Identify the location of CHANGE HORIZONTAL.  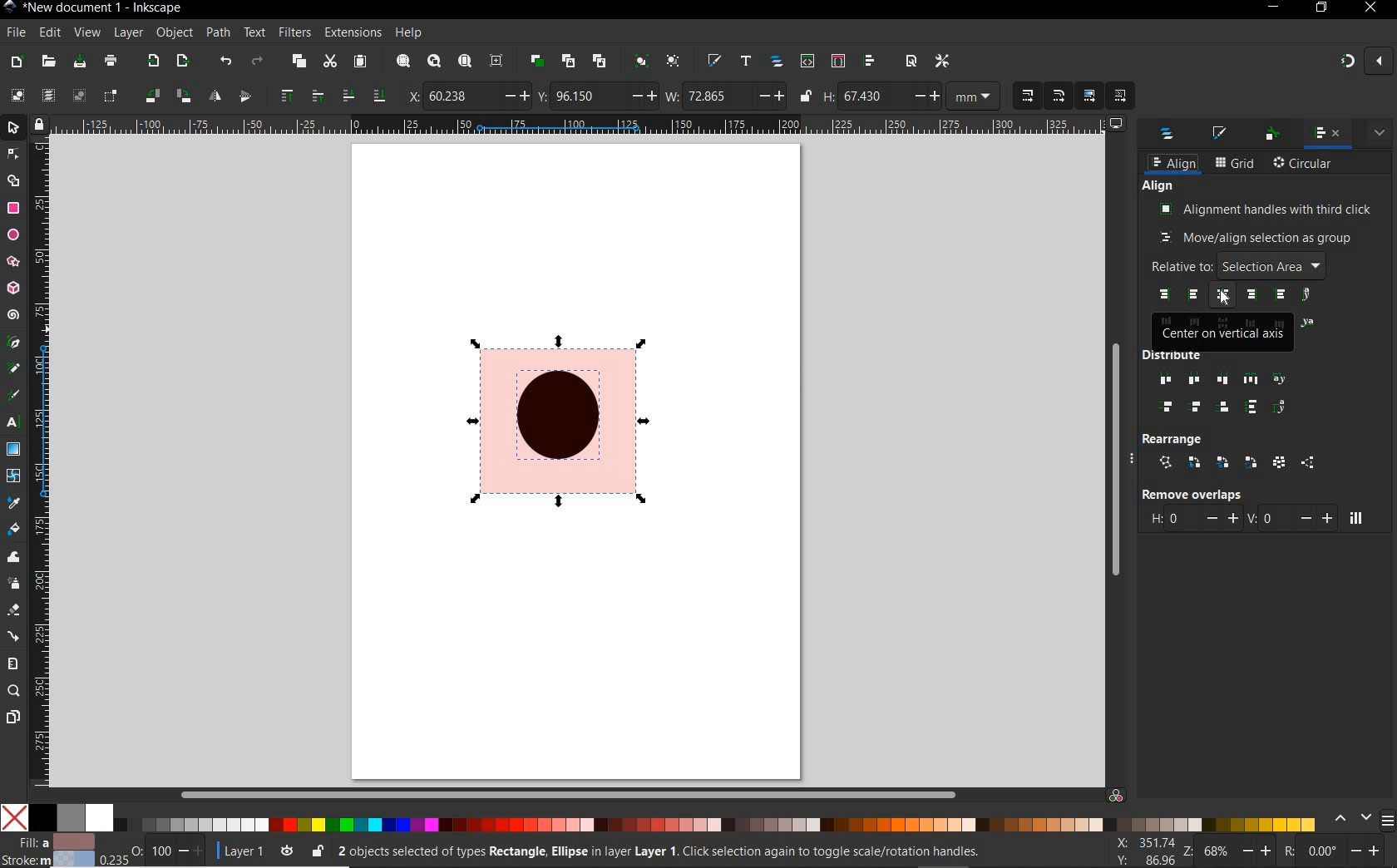
(1193, 520).